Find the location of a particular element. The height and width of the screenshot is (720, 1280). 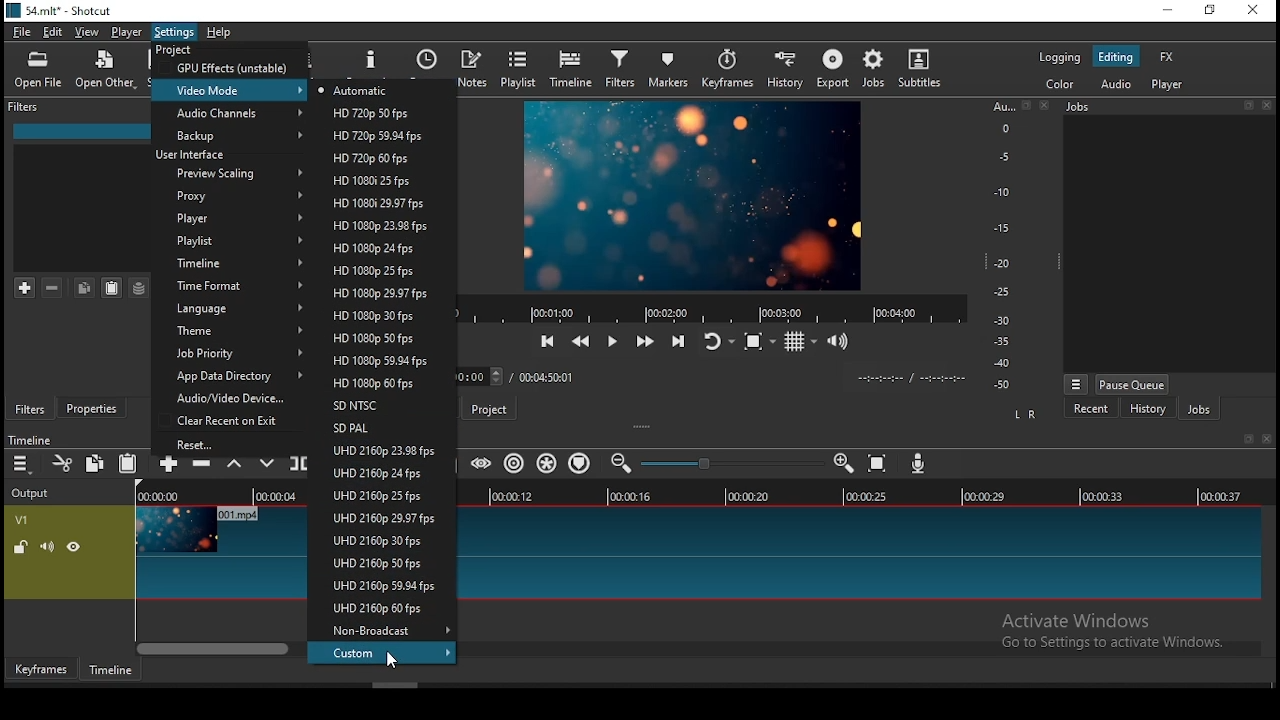

time format is located at coordinates (228, 285).